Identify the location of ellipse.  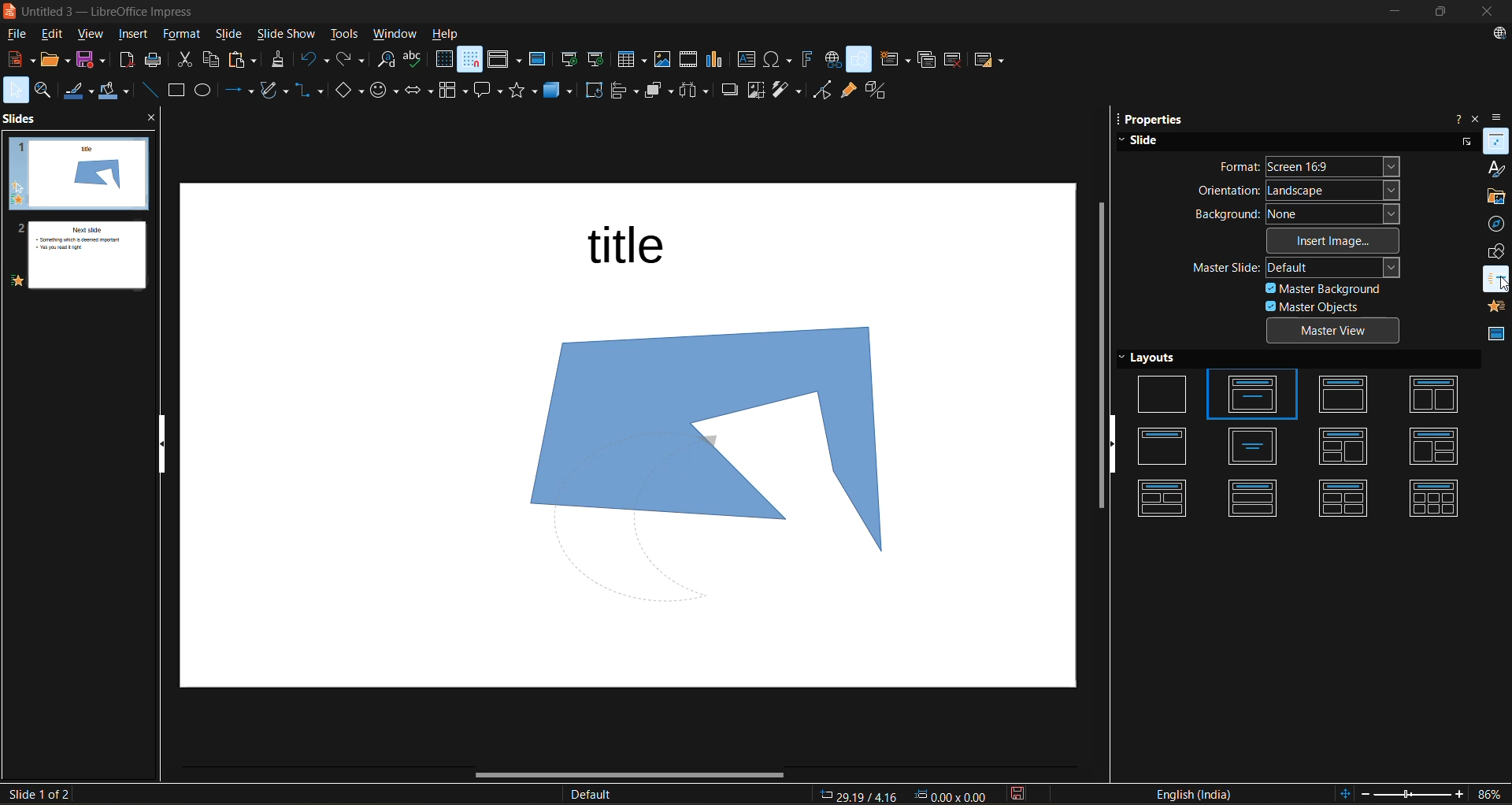
(208, 91).